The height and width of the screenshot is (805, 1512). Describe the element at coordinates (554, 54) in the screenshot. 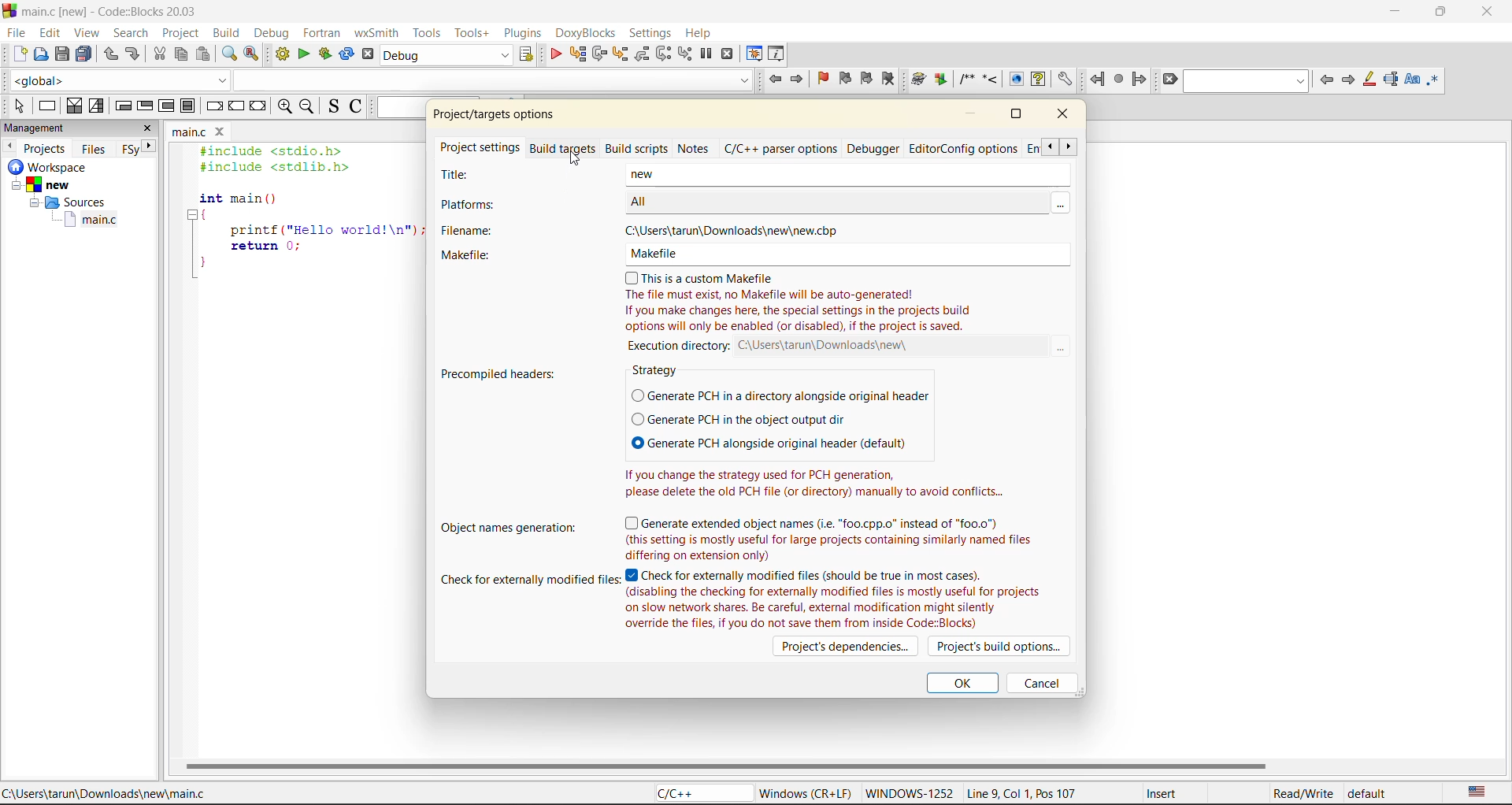

I see `debug` at that location.